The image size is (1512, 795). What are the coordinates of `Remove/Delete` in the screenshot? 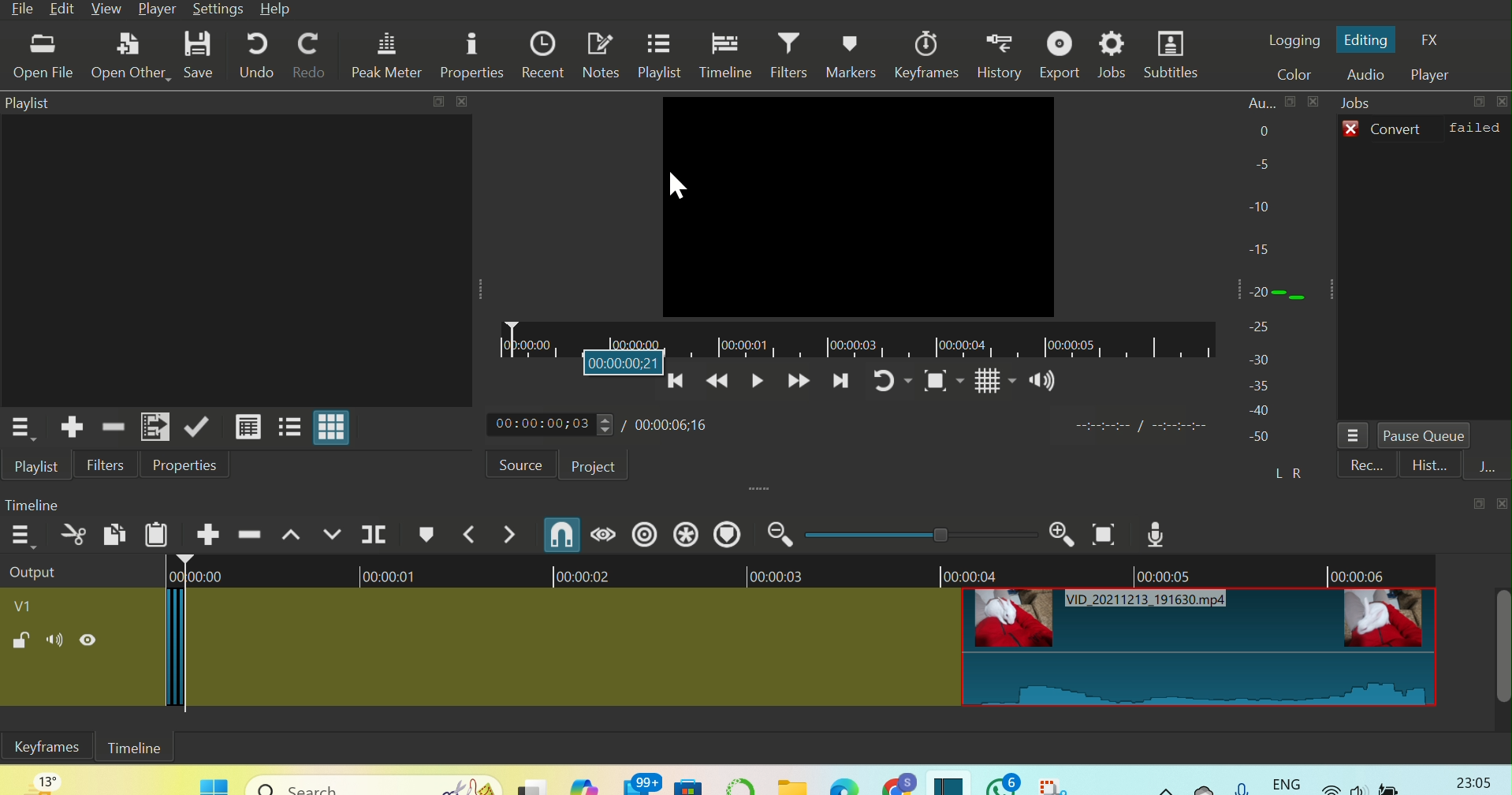 It's located at (114, 427).